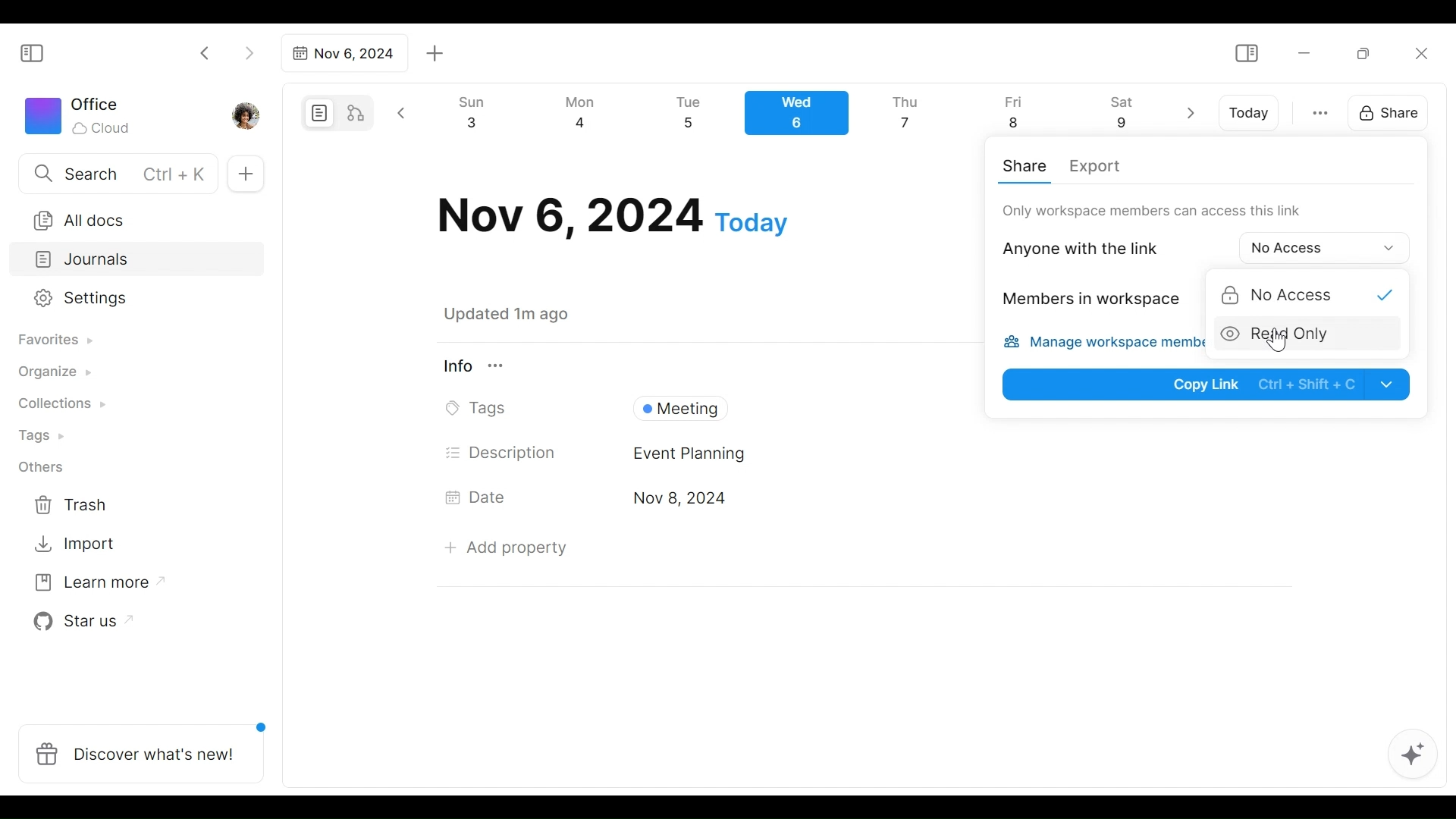 Image resolution: width=1456 pixels, height=819 pixels. What do you see at coordinates (80, 114) in the screenshot?
I see `Workspace icon` at bounding box center [80, 114].